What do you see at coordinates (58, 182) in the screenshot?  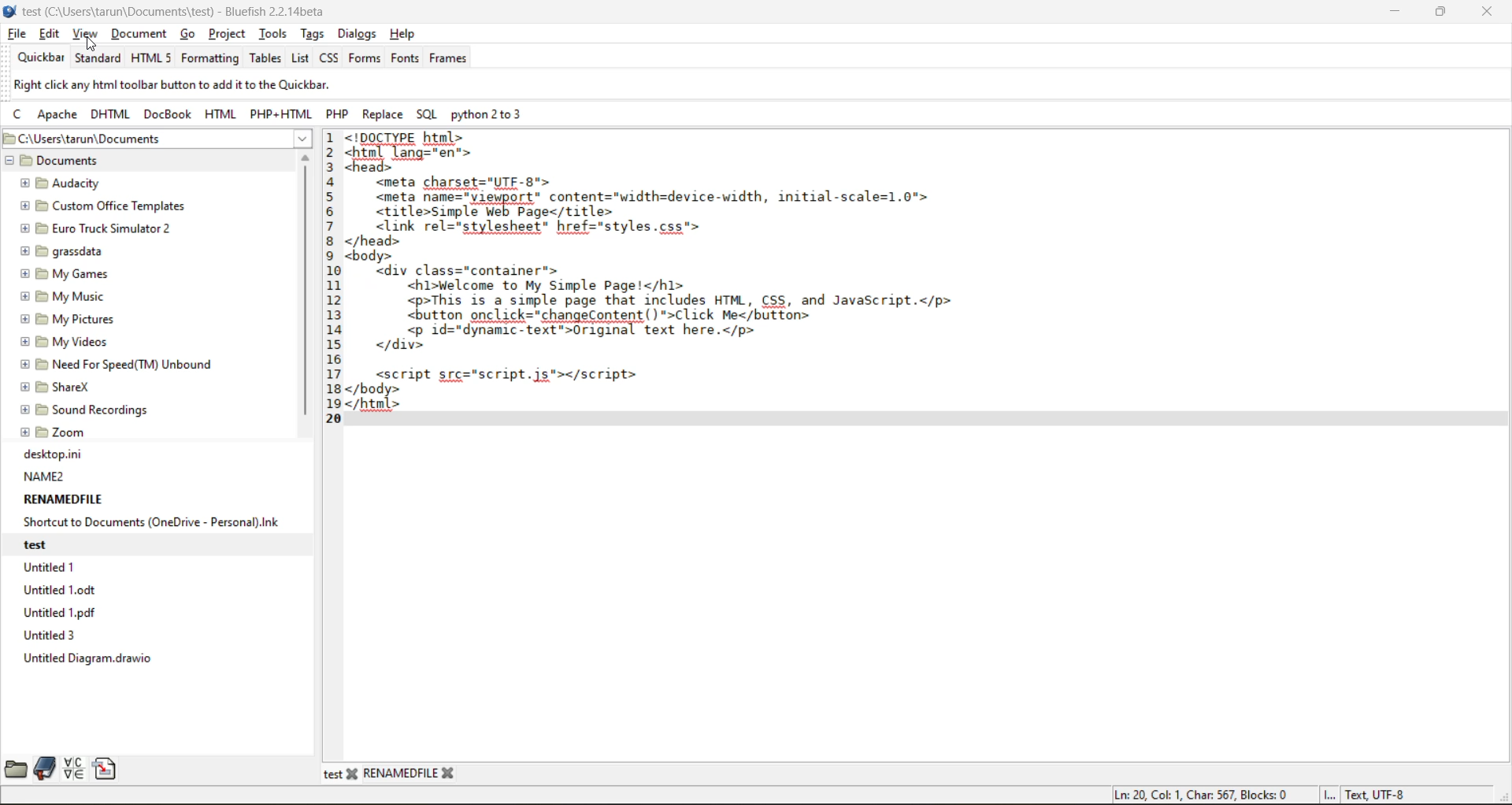 I see `@ Bo Audacity` at bounding box center [58, 182].